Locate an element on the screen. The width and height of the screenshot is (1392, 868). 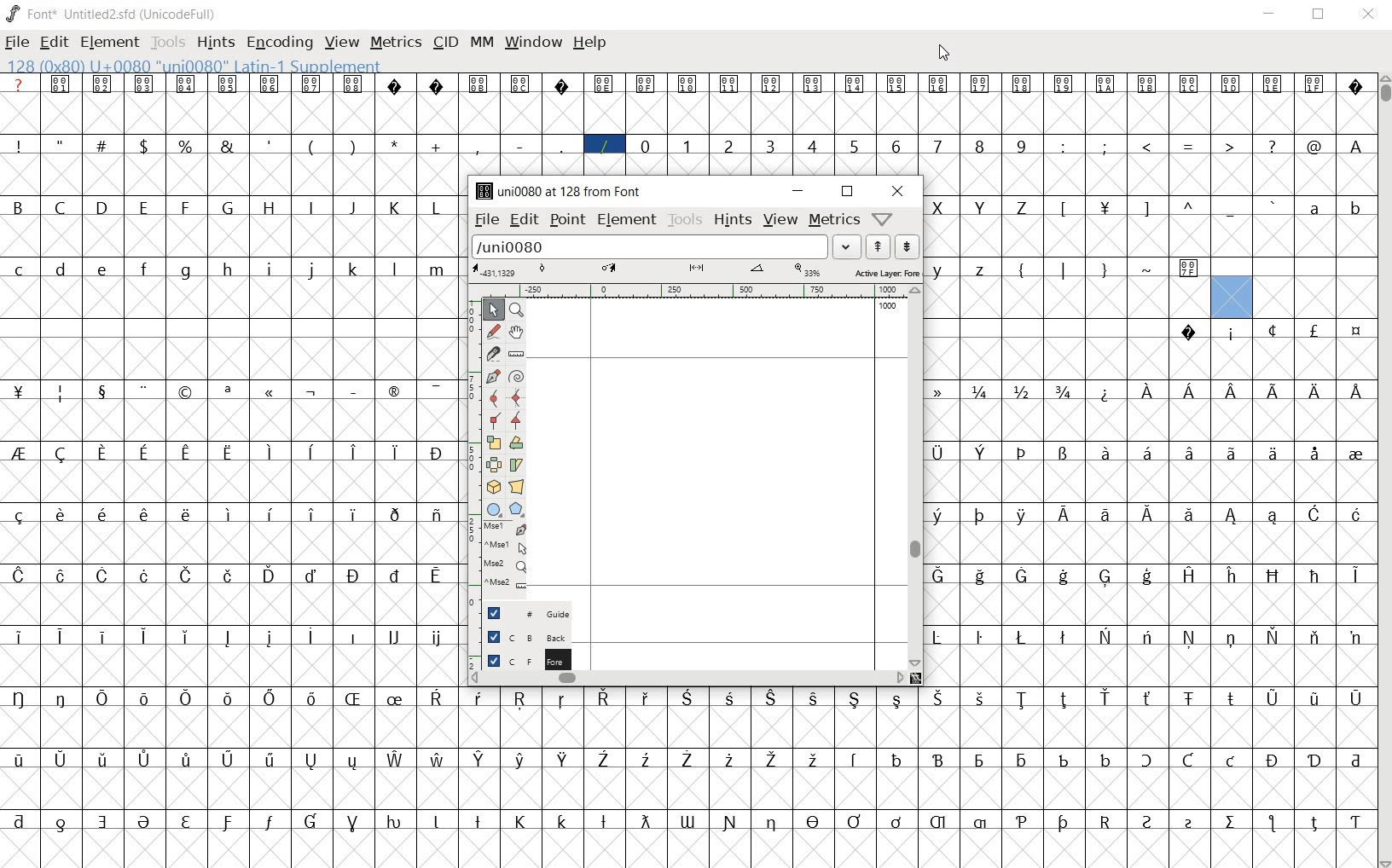
glyph is located at coordinates (519, 822).